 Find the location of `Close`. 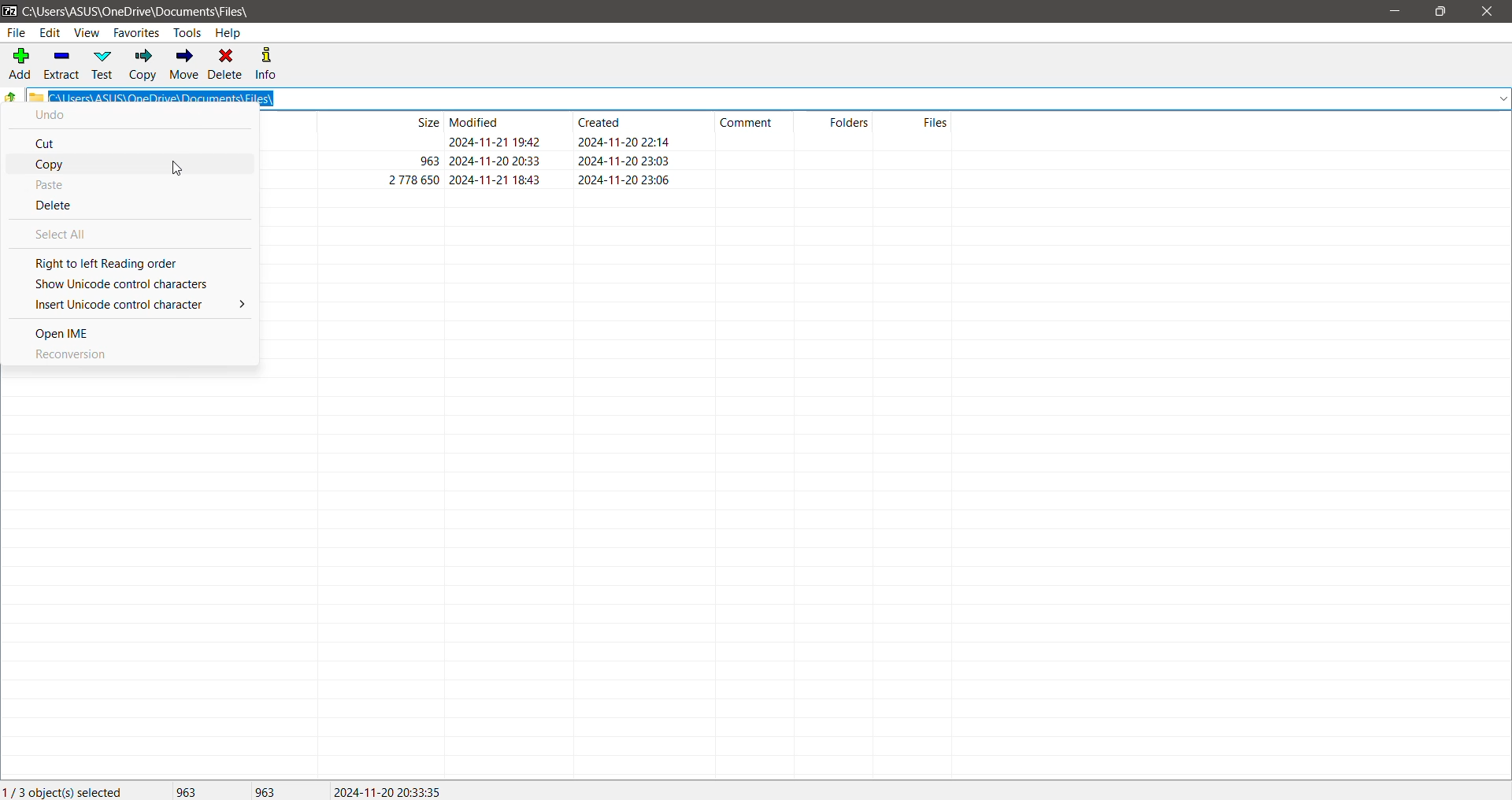

Close is located at coordinates (1490, 12).